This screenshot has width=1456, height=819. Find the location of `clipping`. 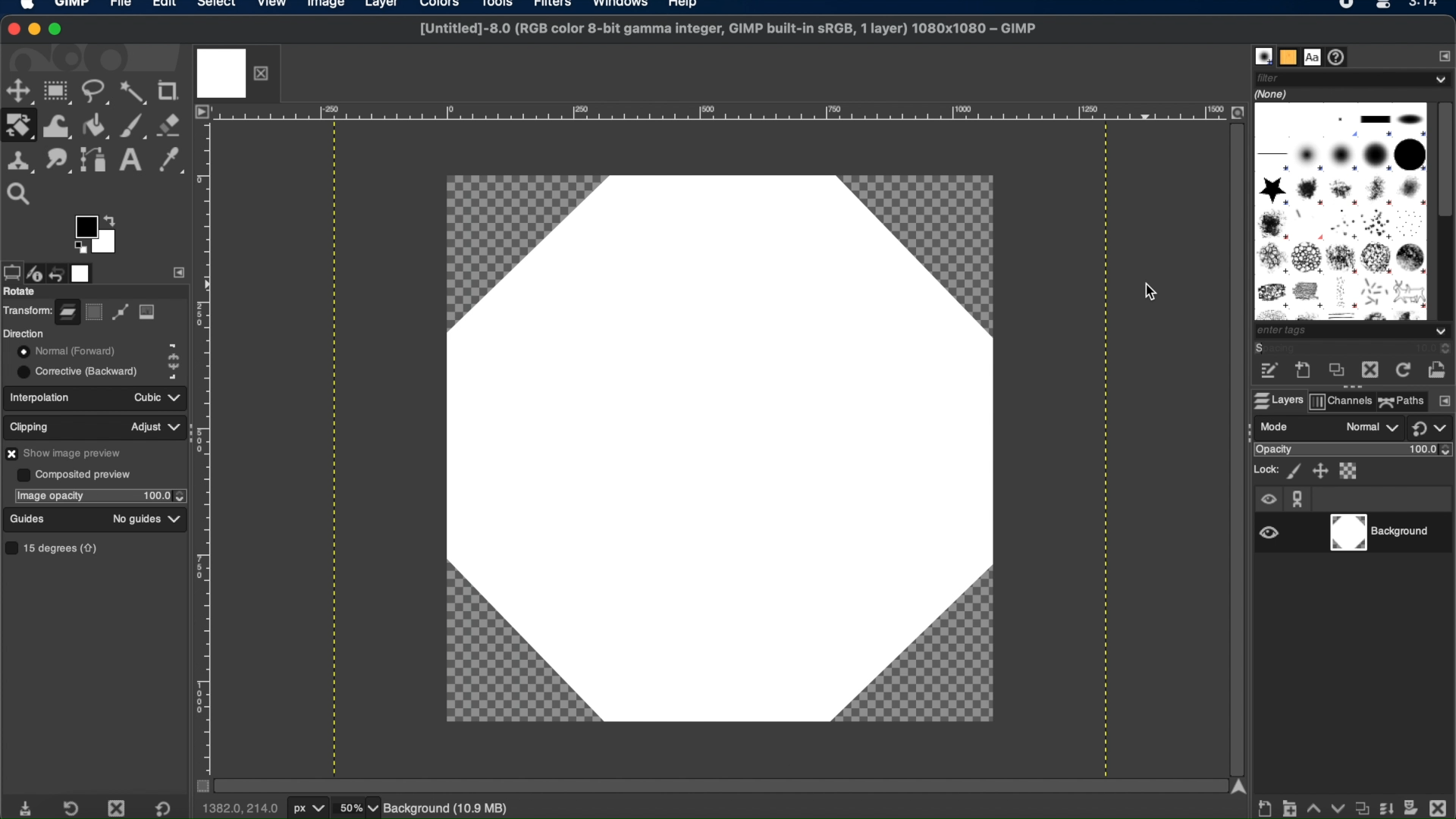

clipping is located at coordinates (32, 425).